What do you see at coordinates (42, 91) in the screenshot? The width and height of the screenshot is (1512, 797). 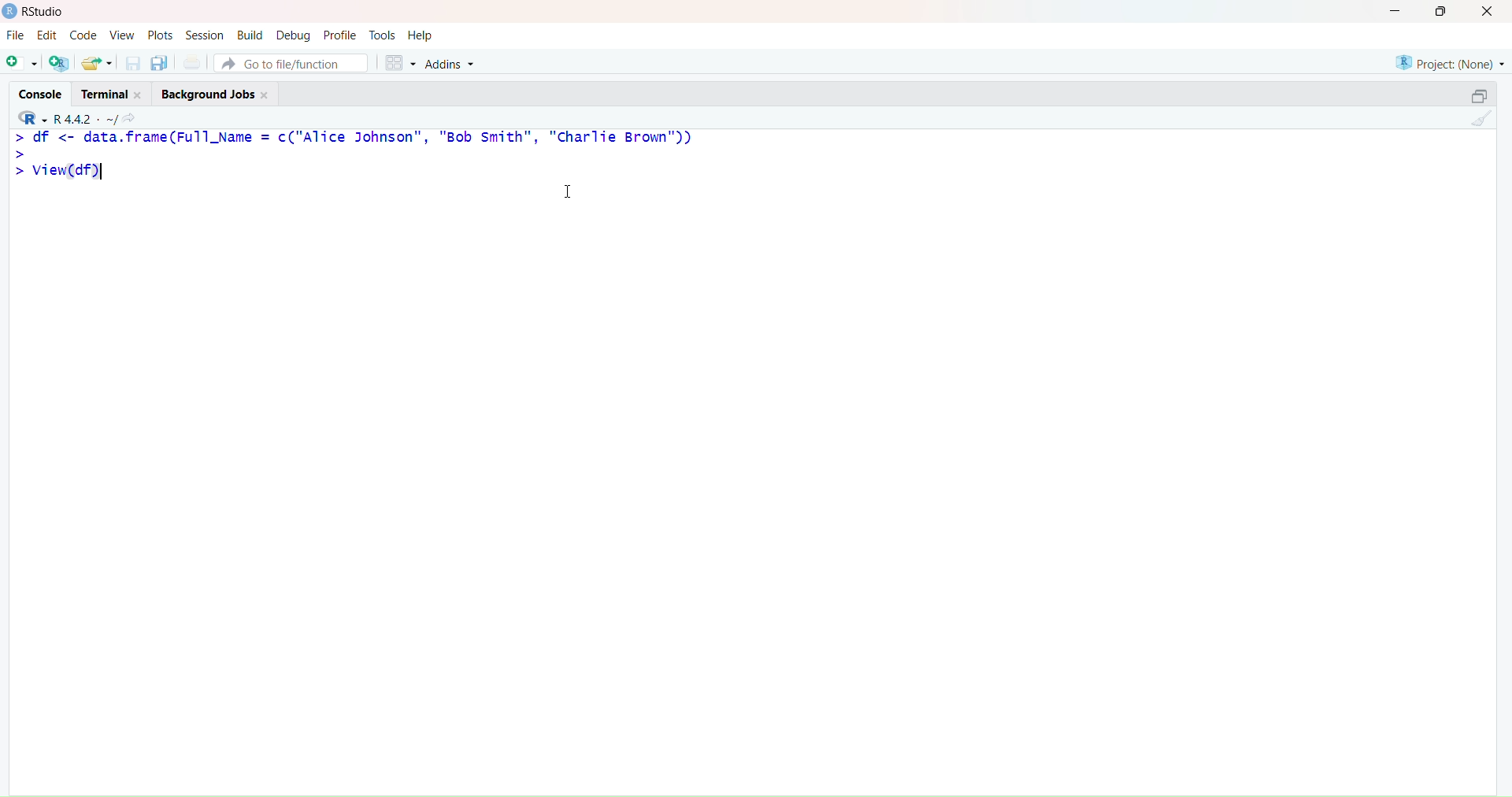 I see `Console` at bounding box center [42, 91].